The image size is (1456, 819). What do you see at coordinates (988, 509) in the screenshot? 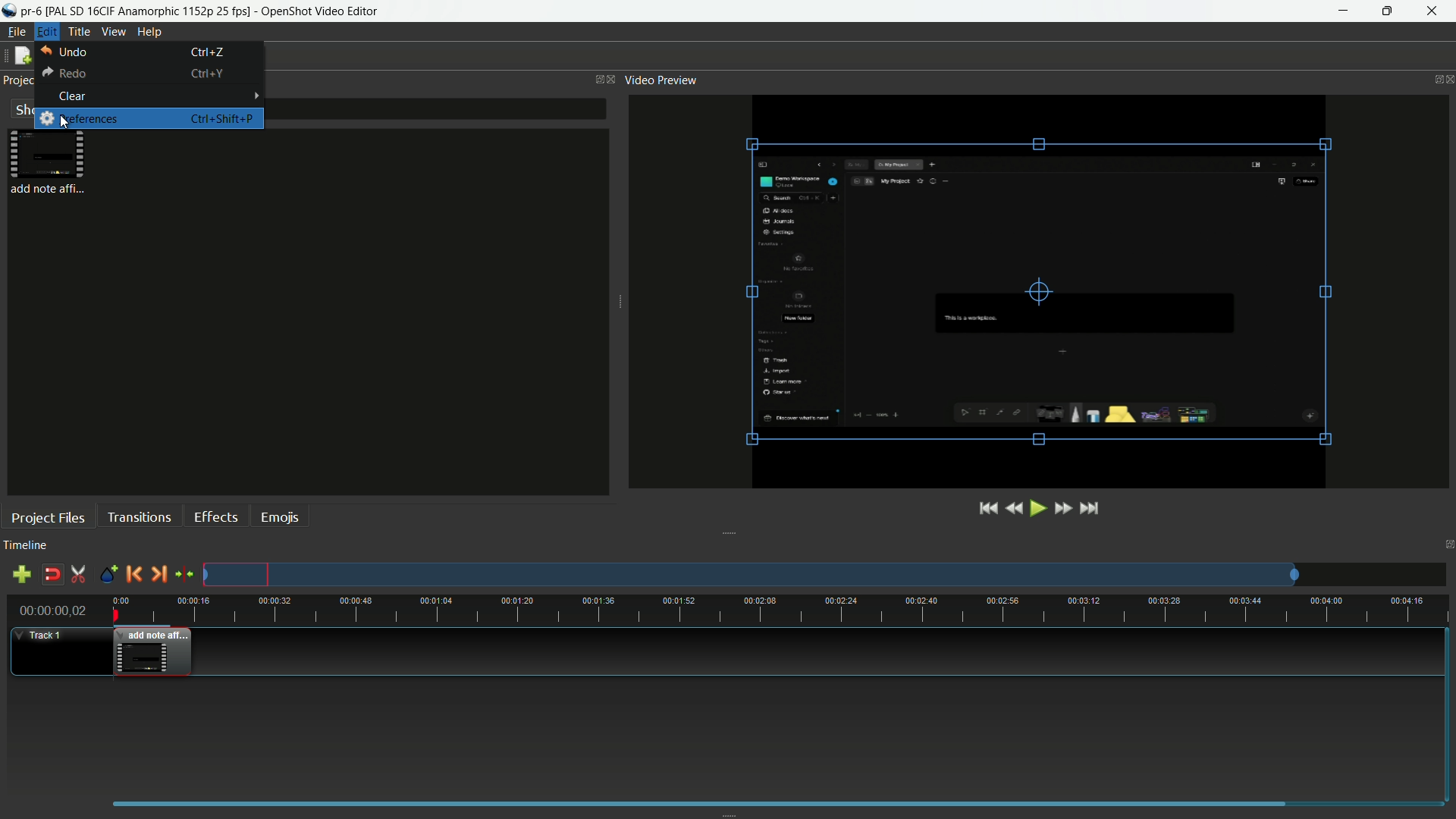
I see `jump to start` at bounding box center [988, 509].